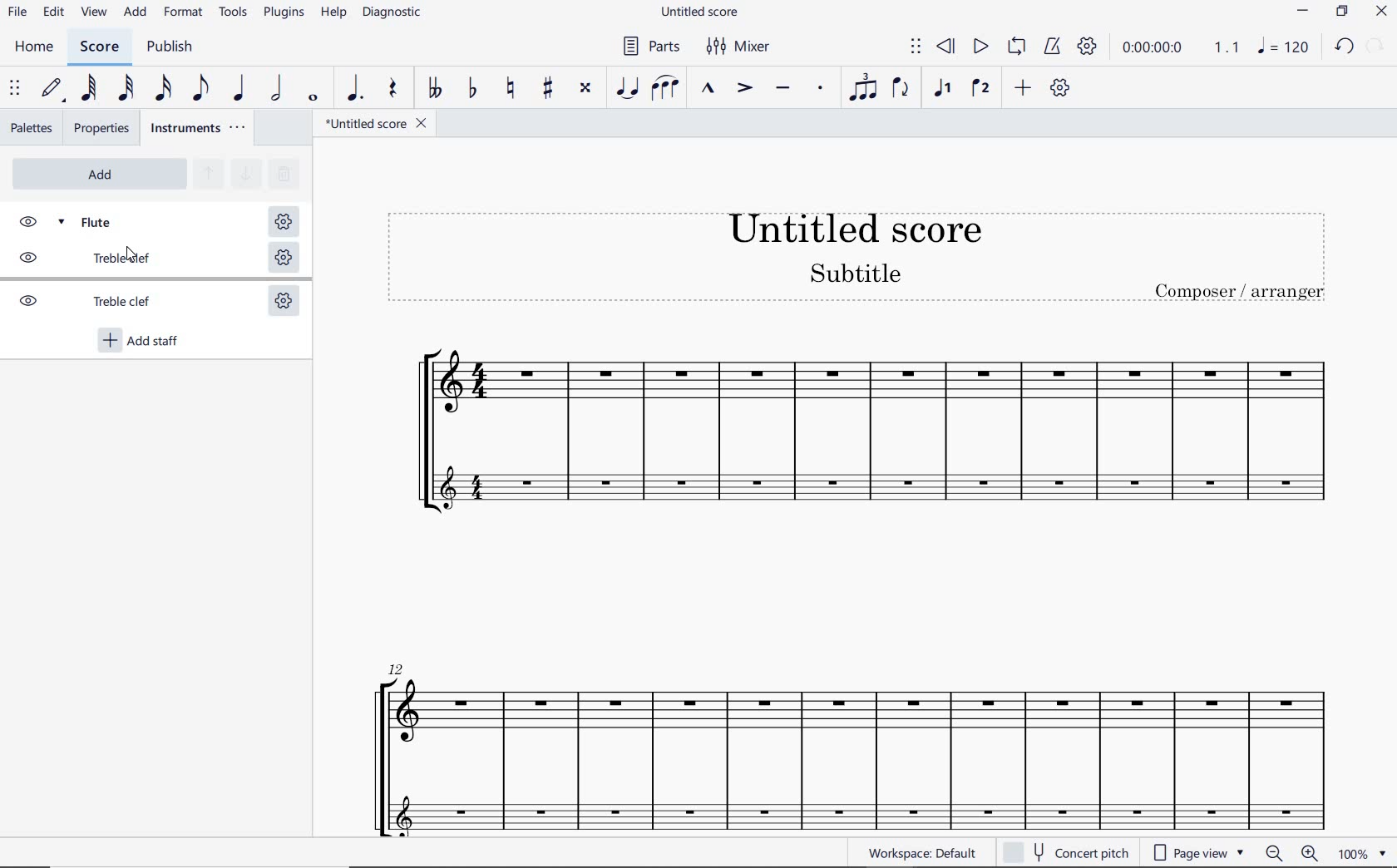  I want to click on edit, so click(53, 14).